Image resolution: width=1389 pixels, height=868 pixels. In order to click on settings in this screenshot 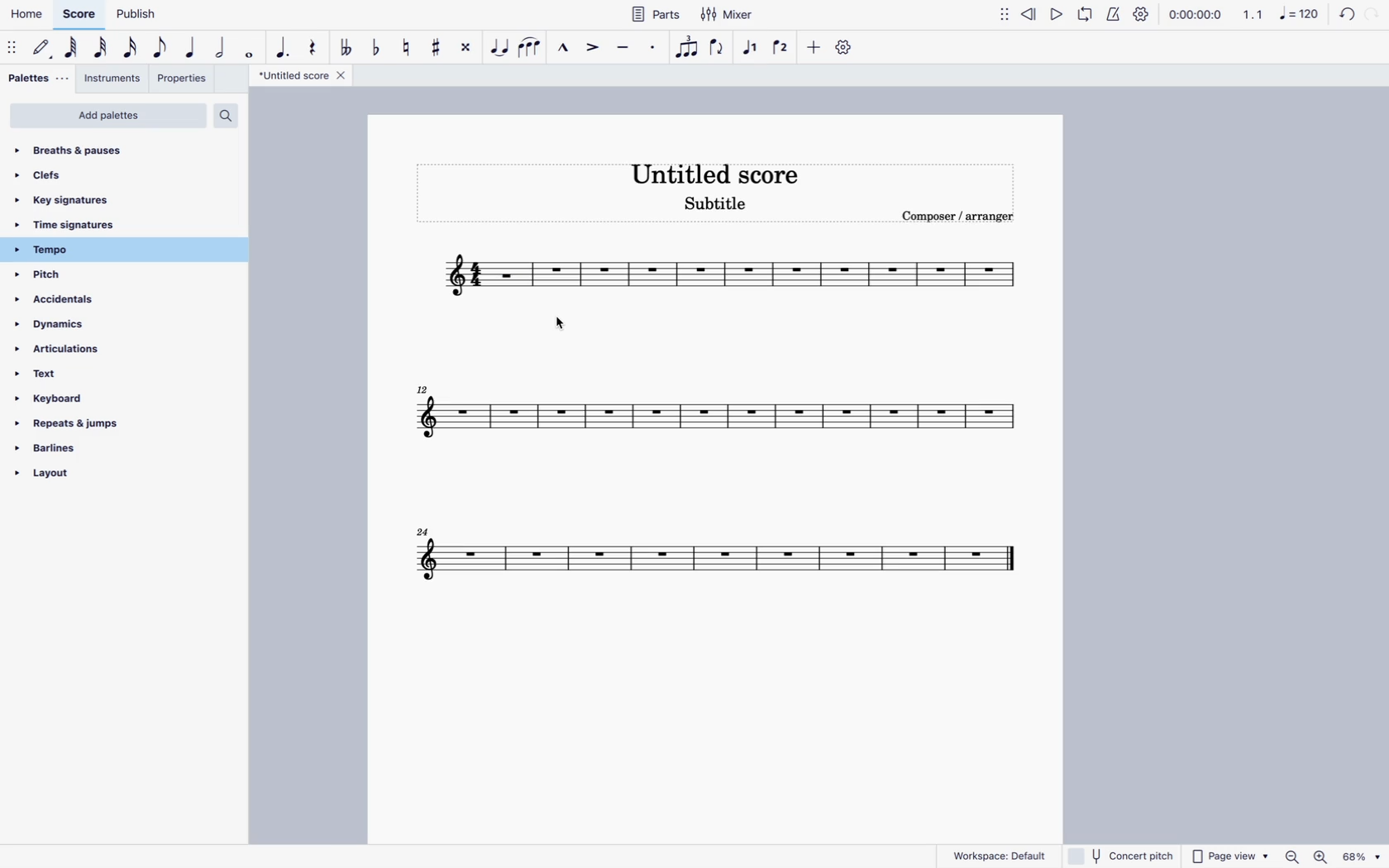, I will do `click(1144, 13)`.